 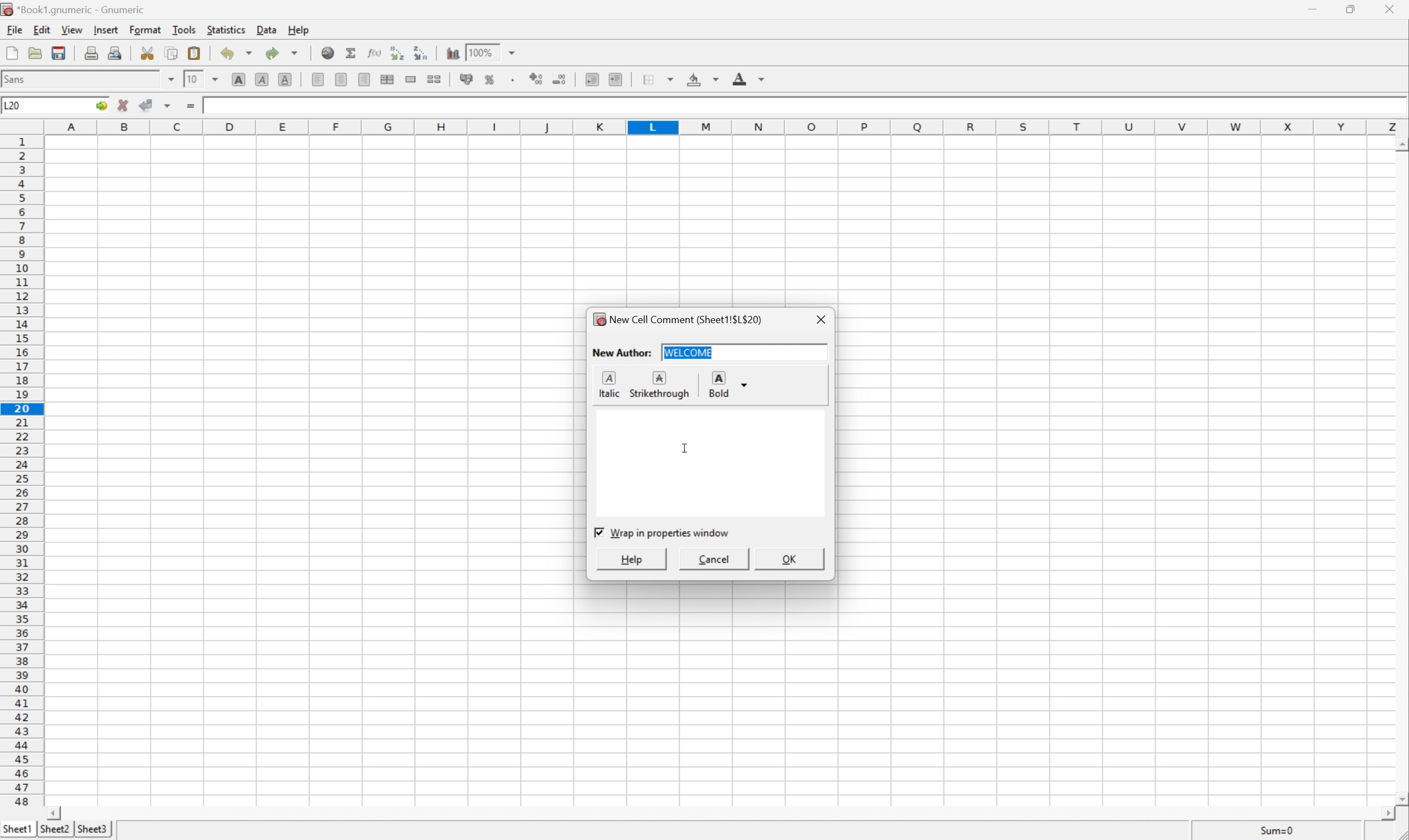 What do you see at coordinates (374, 52) in the screenshot?
I see `Edit function in current cell` at bounding box center [374, 52].